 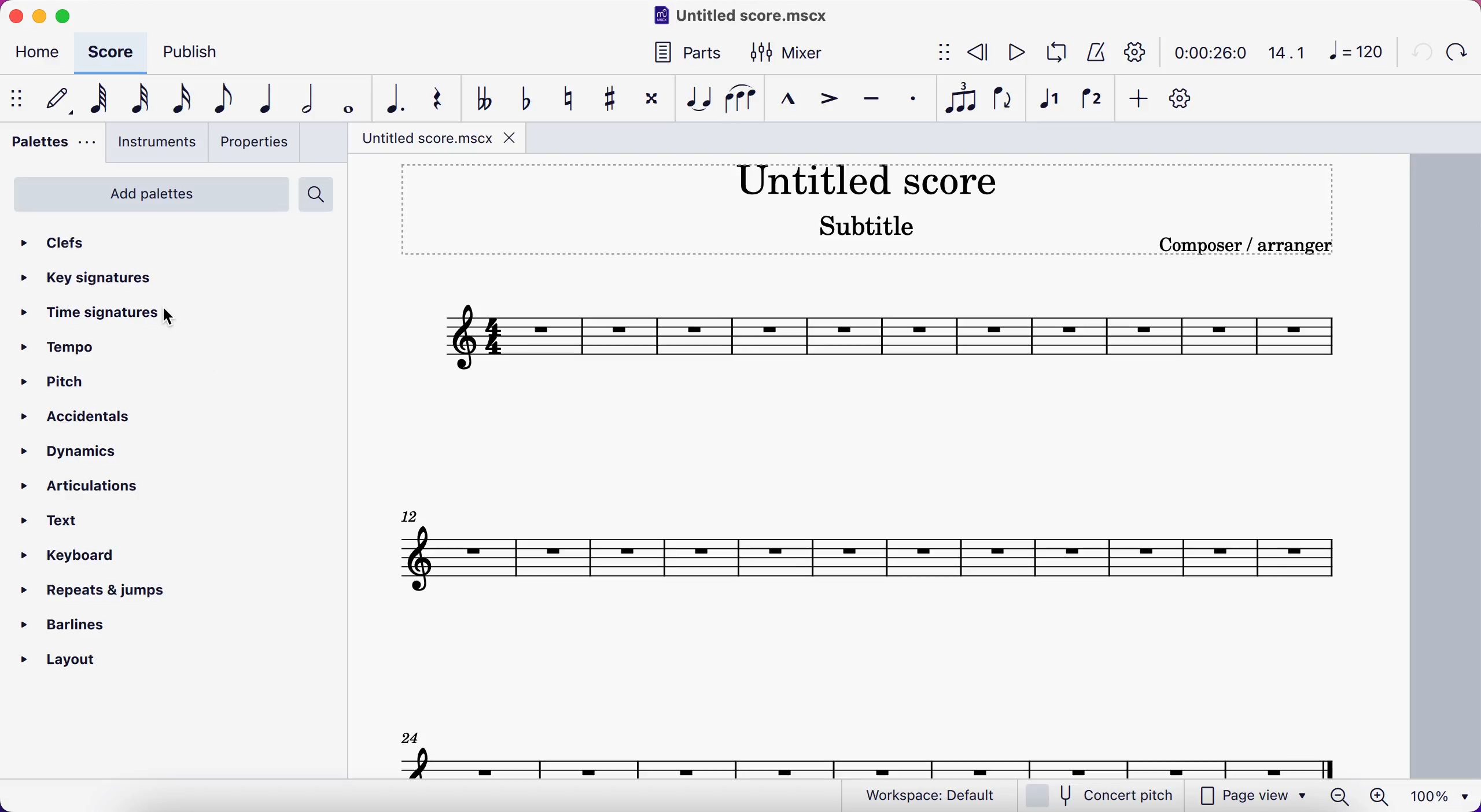 I want to click on layout, so click(x=66, y=660).